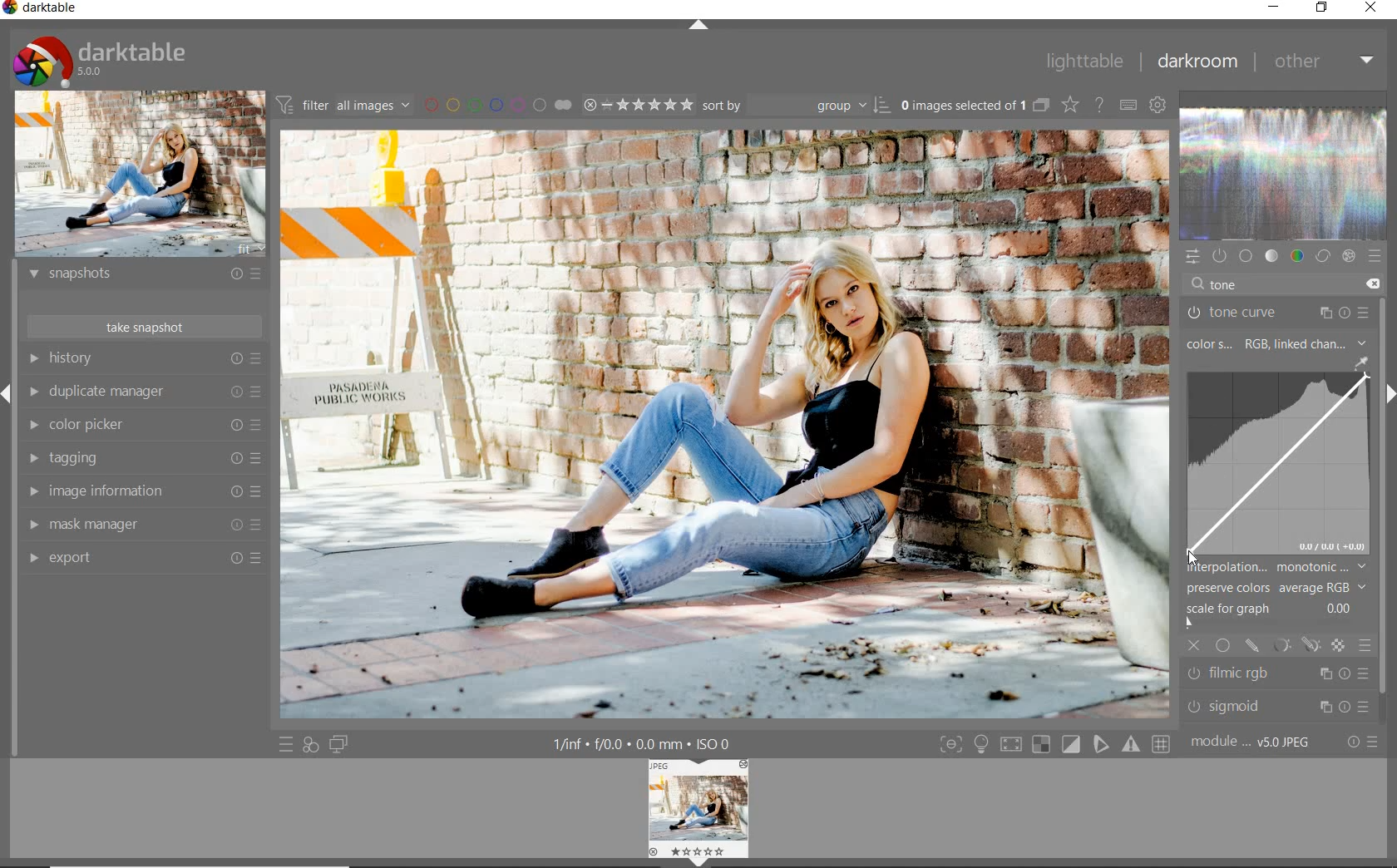 This screenshot has height=868, width=1397. Describe the element at coordinates (1268, 589) in the screenshot. I see `preserve colors` at that location.